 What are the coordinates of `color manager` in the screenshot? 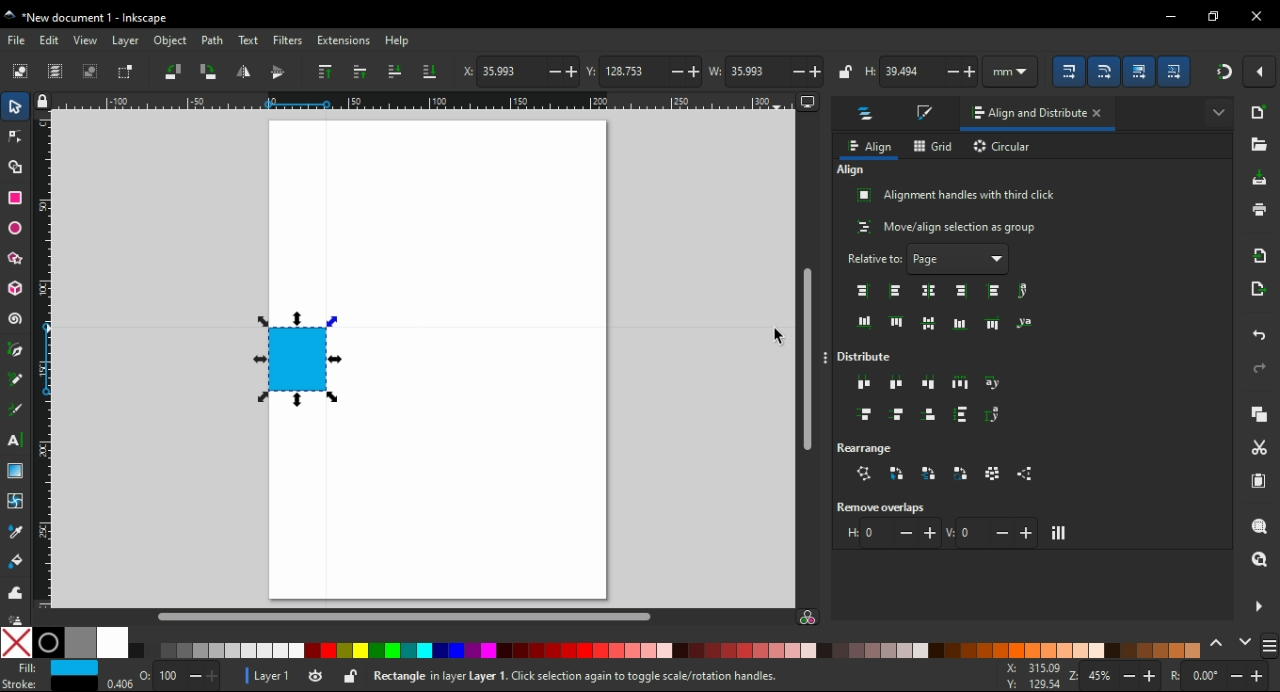 It's located at (814, 620).